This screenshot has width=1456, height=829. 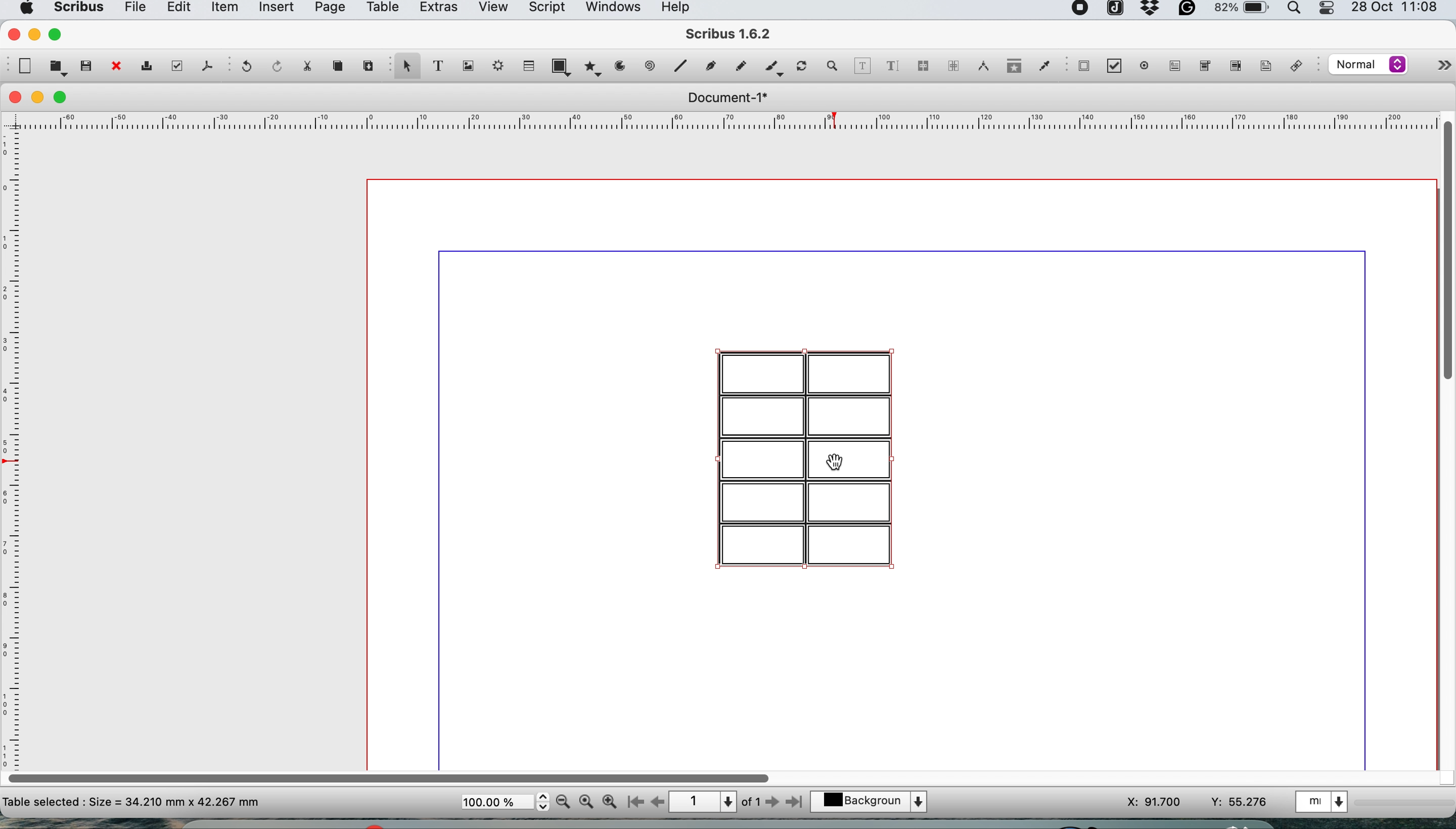 I want to click on cut, so click(x=306, y=65).